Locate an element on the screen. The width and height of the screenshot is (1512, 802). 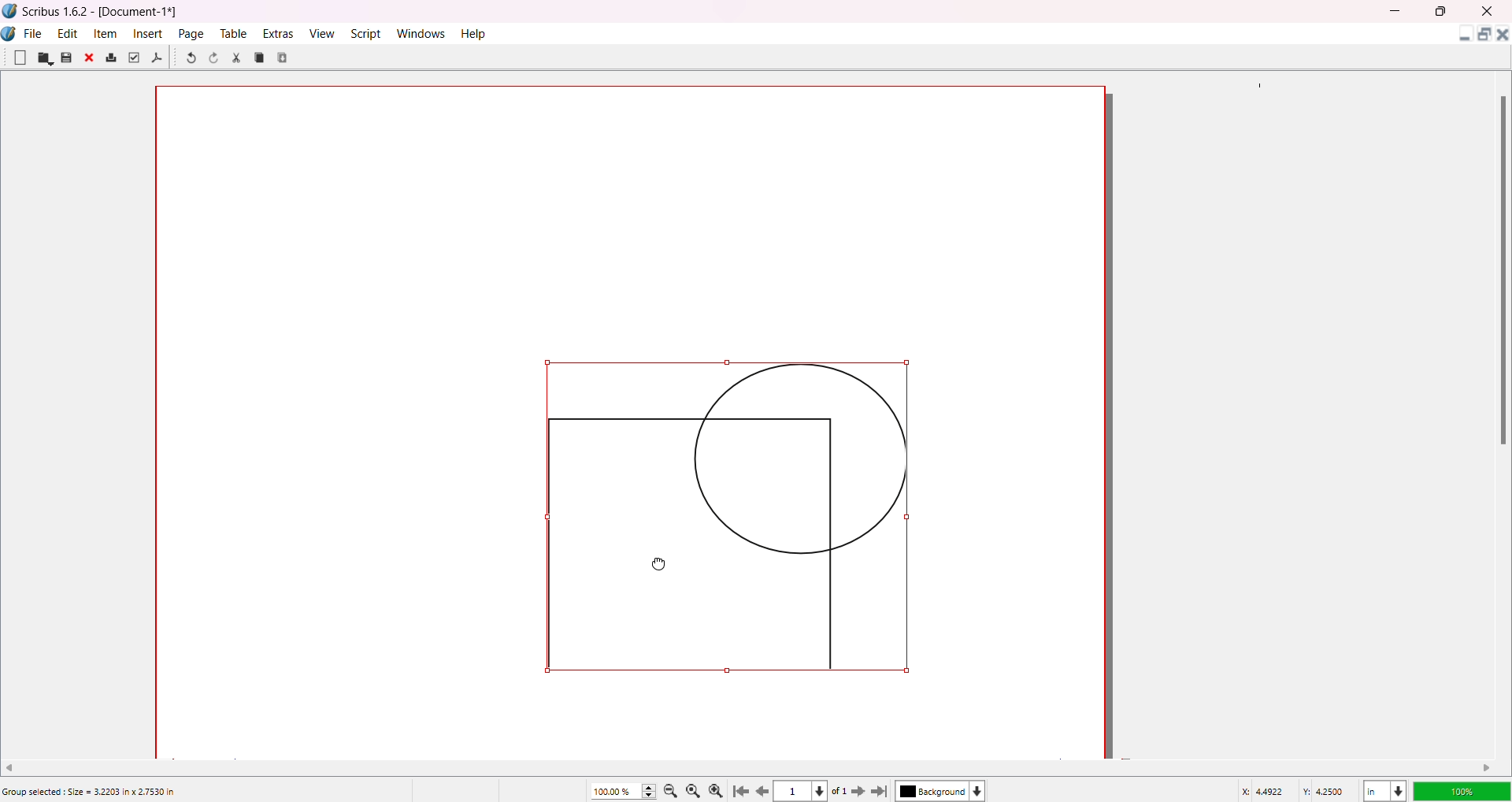
Print is located at coordinates (111, 58).